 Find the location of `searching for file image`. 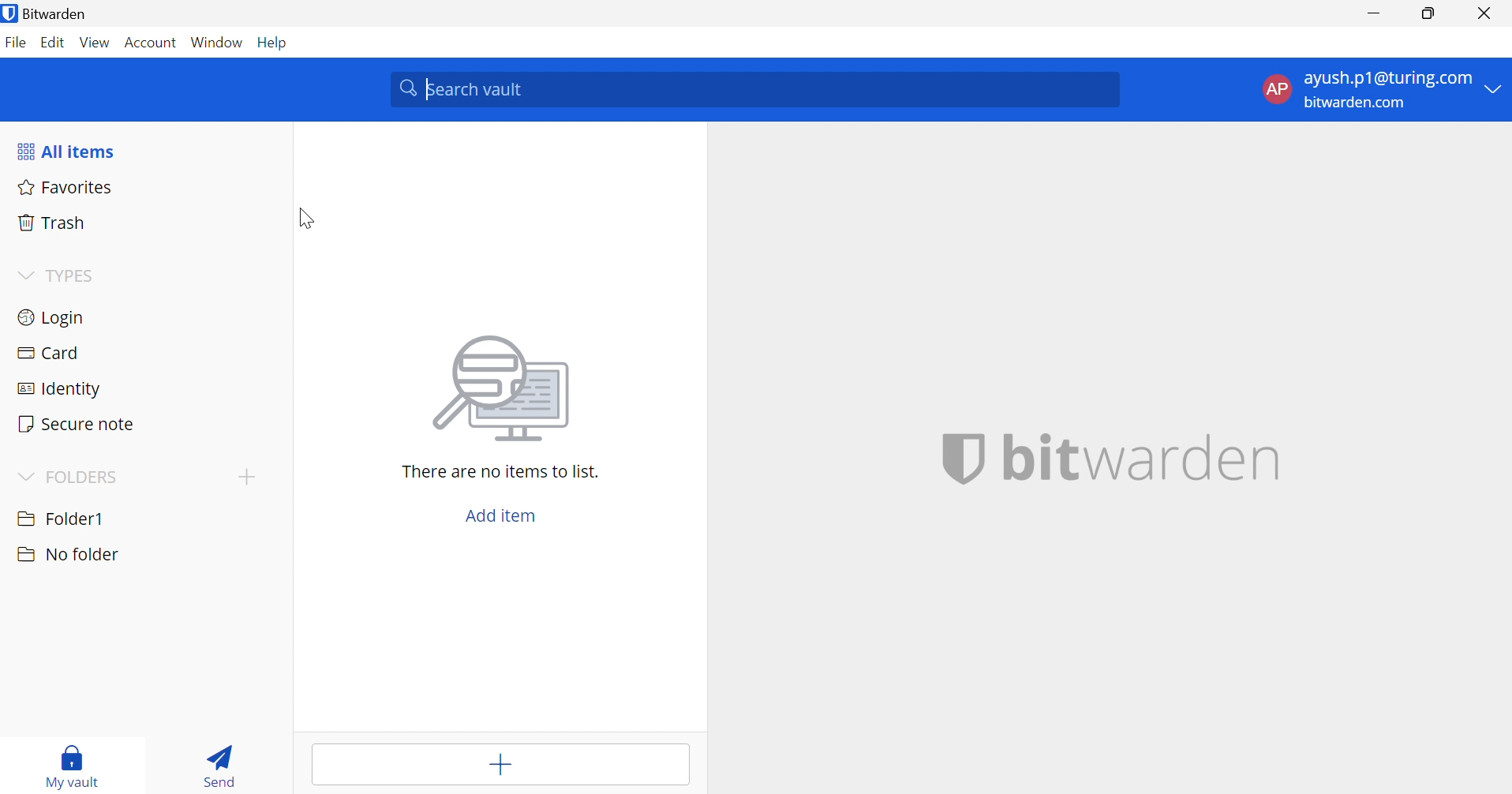

searching for file image is located at coordinates (505, 392).